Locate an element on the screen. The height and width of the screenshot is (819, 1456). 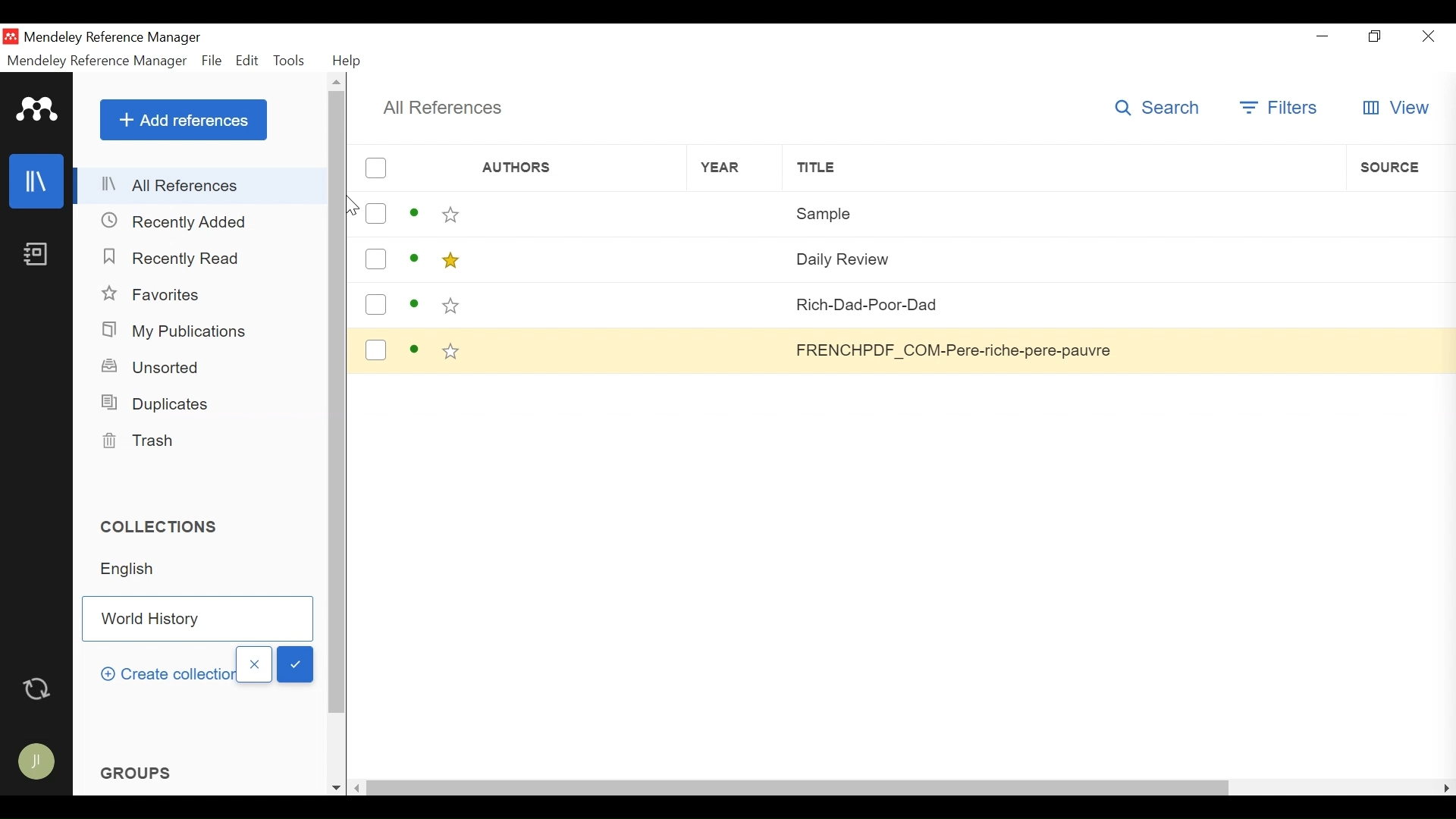
Filters is located at coordinates (1281, 108).